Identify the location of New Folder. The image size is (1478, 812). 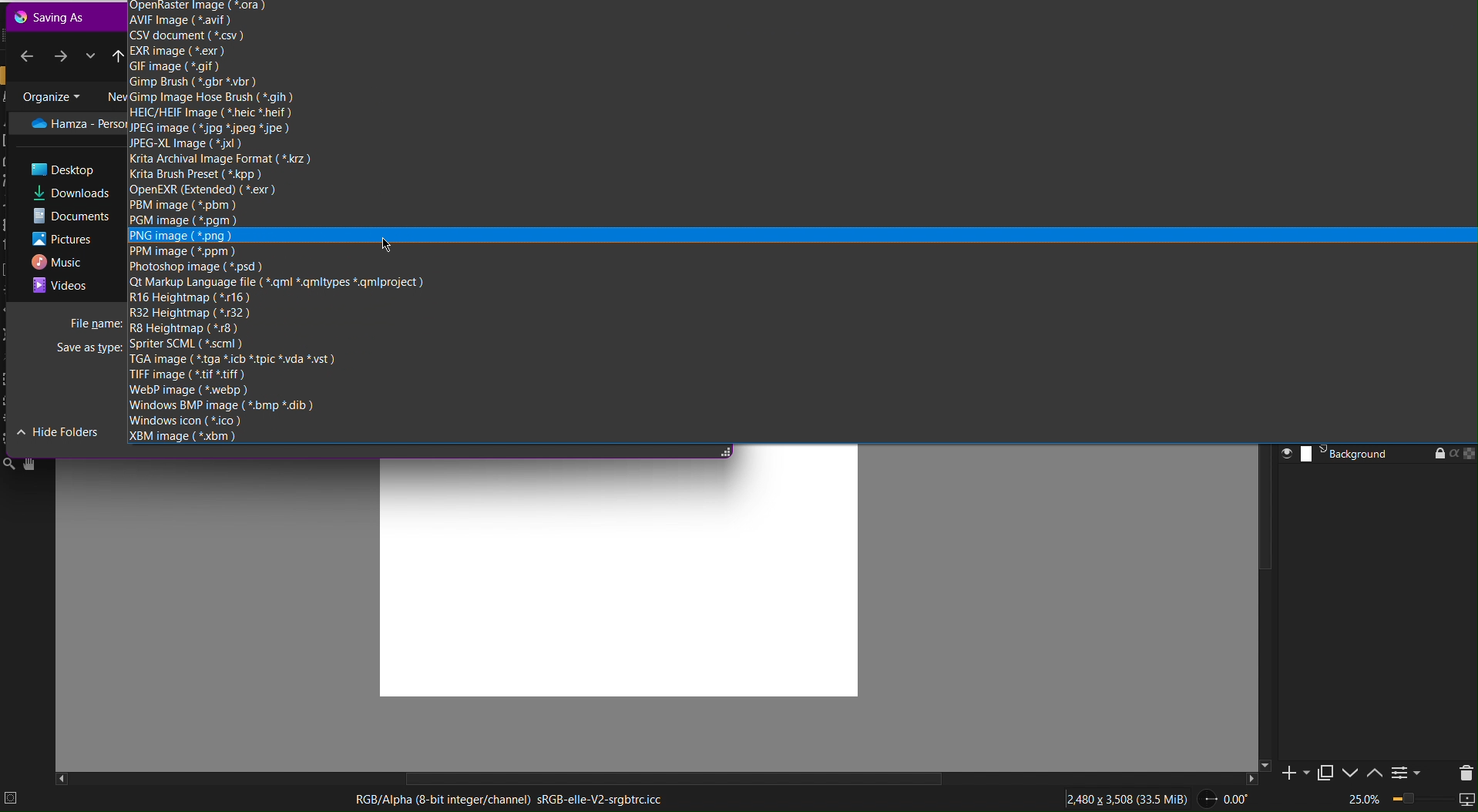
(110, 94).